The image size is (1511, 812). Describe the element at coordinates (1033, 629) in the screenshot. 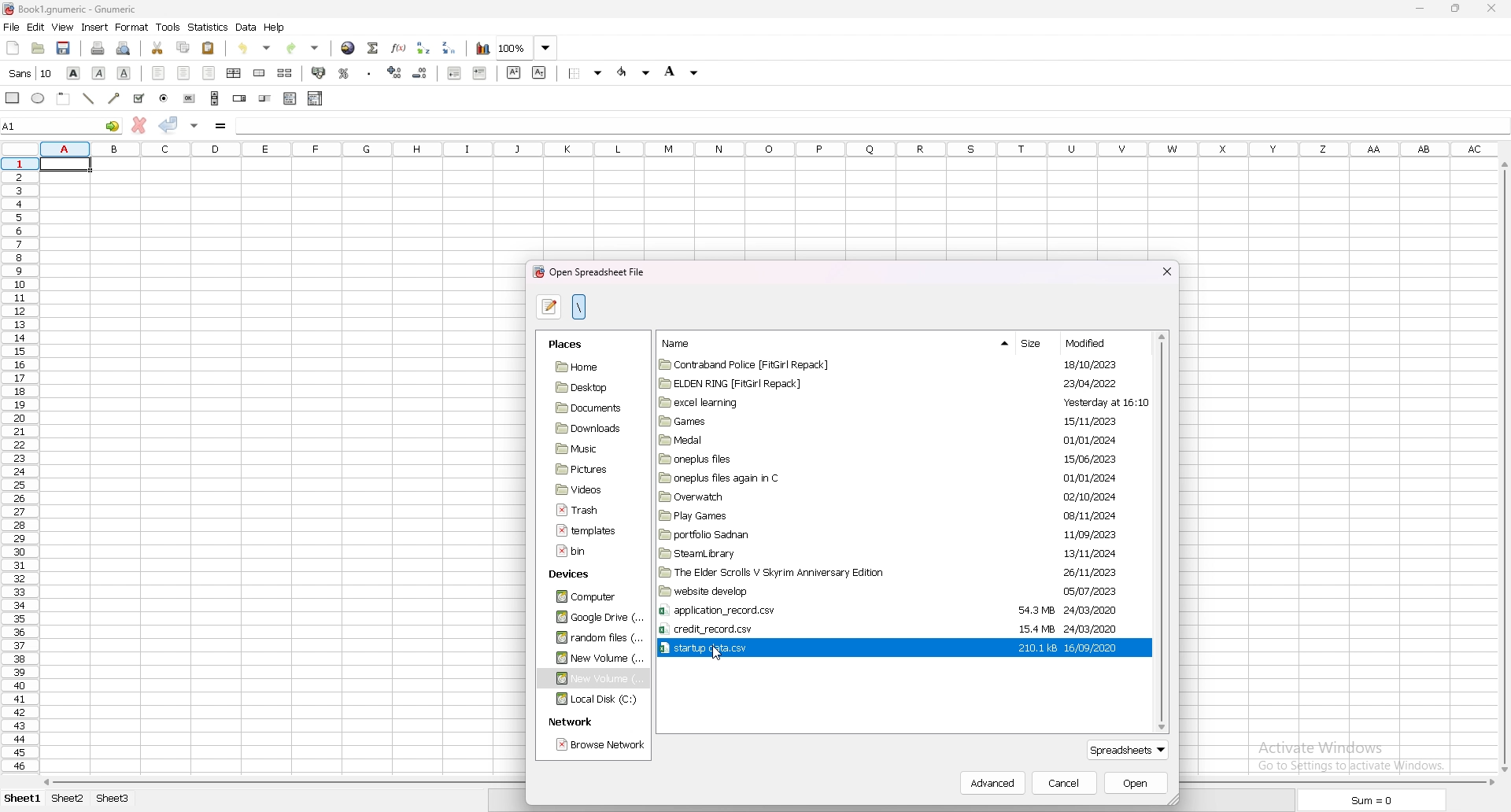

I see `15.4 MB` at that location.